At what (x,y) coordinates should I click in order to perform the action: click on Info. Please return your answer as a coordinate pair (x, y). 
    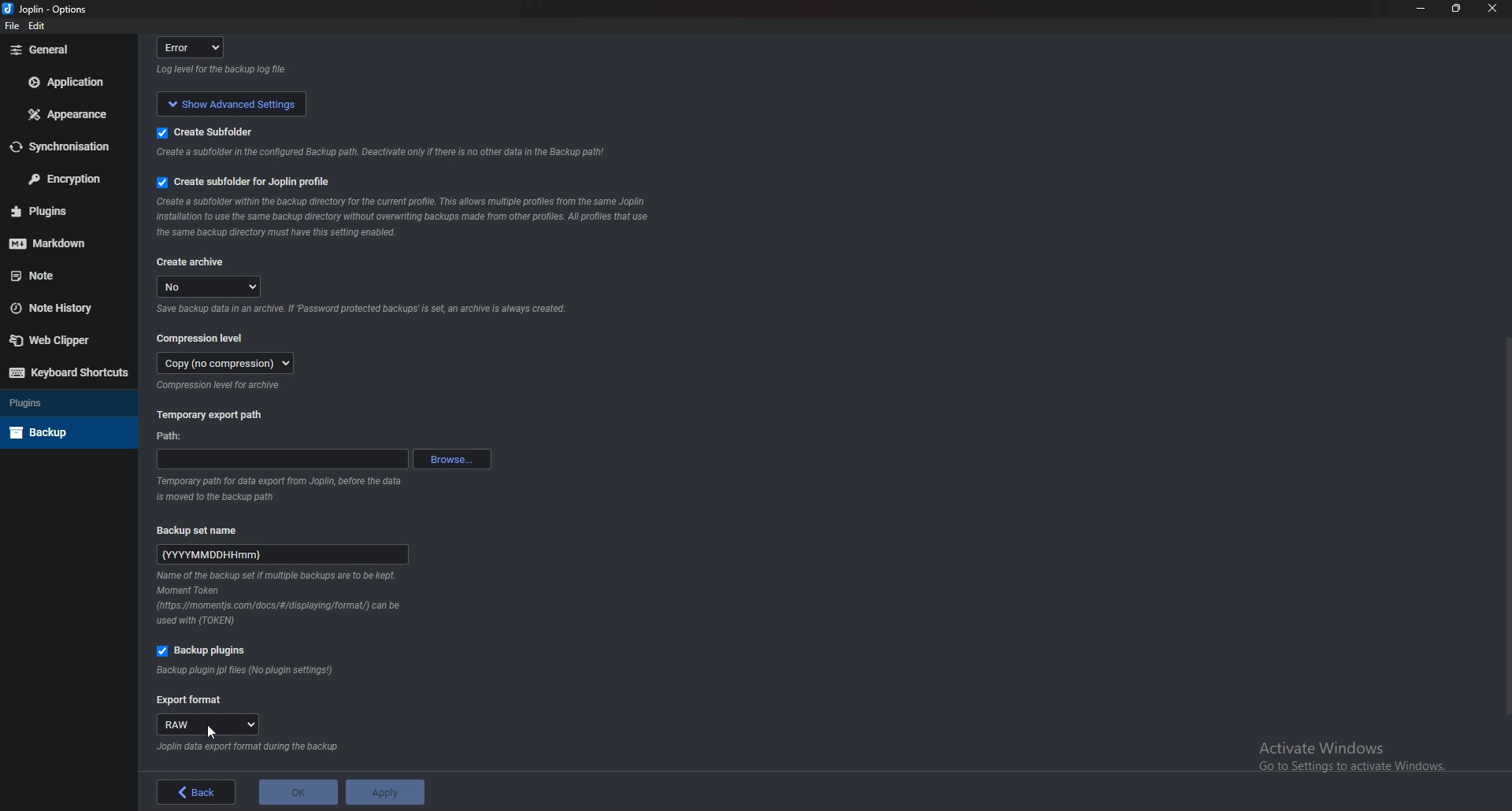
    Looking at the image, I should click on (222, 386).